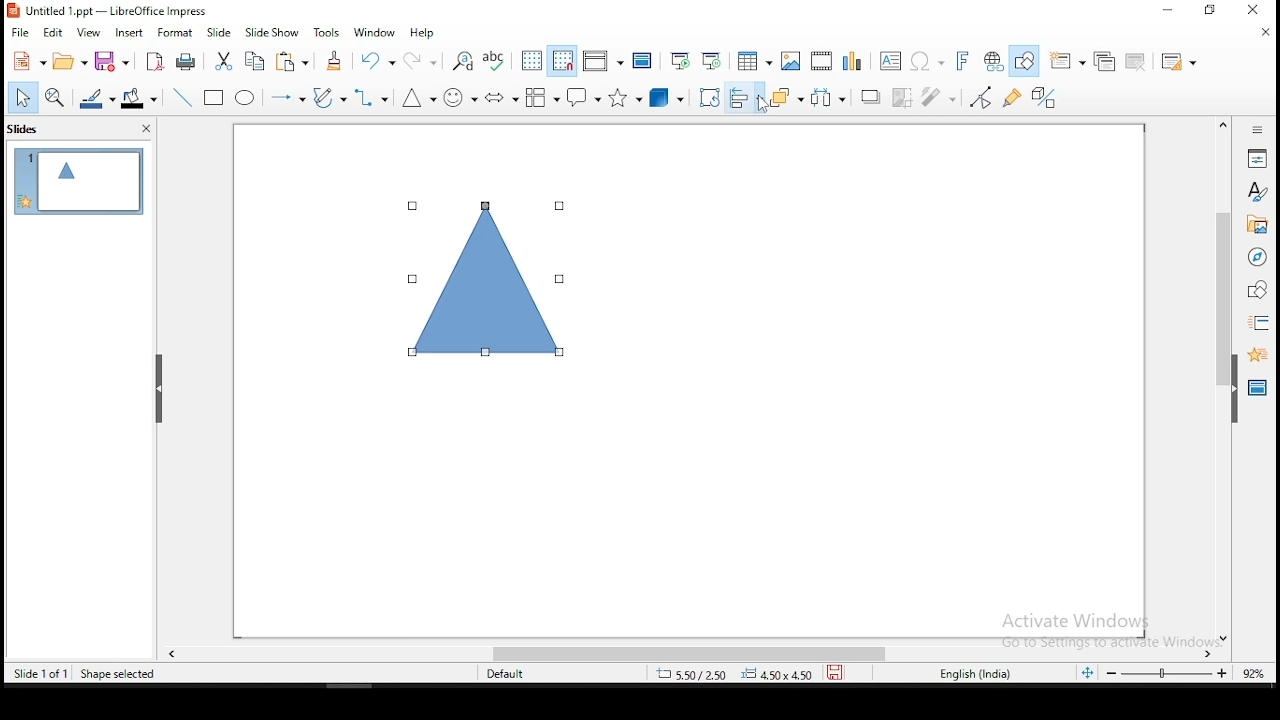 This screenshot has height=720, width=1280. Describe the element at coordinates (329, 99) in the screenshot. I see `curves and polygons` at that location.